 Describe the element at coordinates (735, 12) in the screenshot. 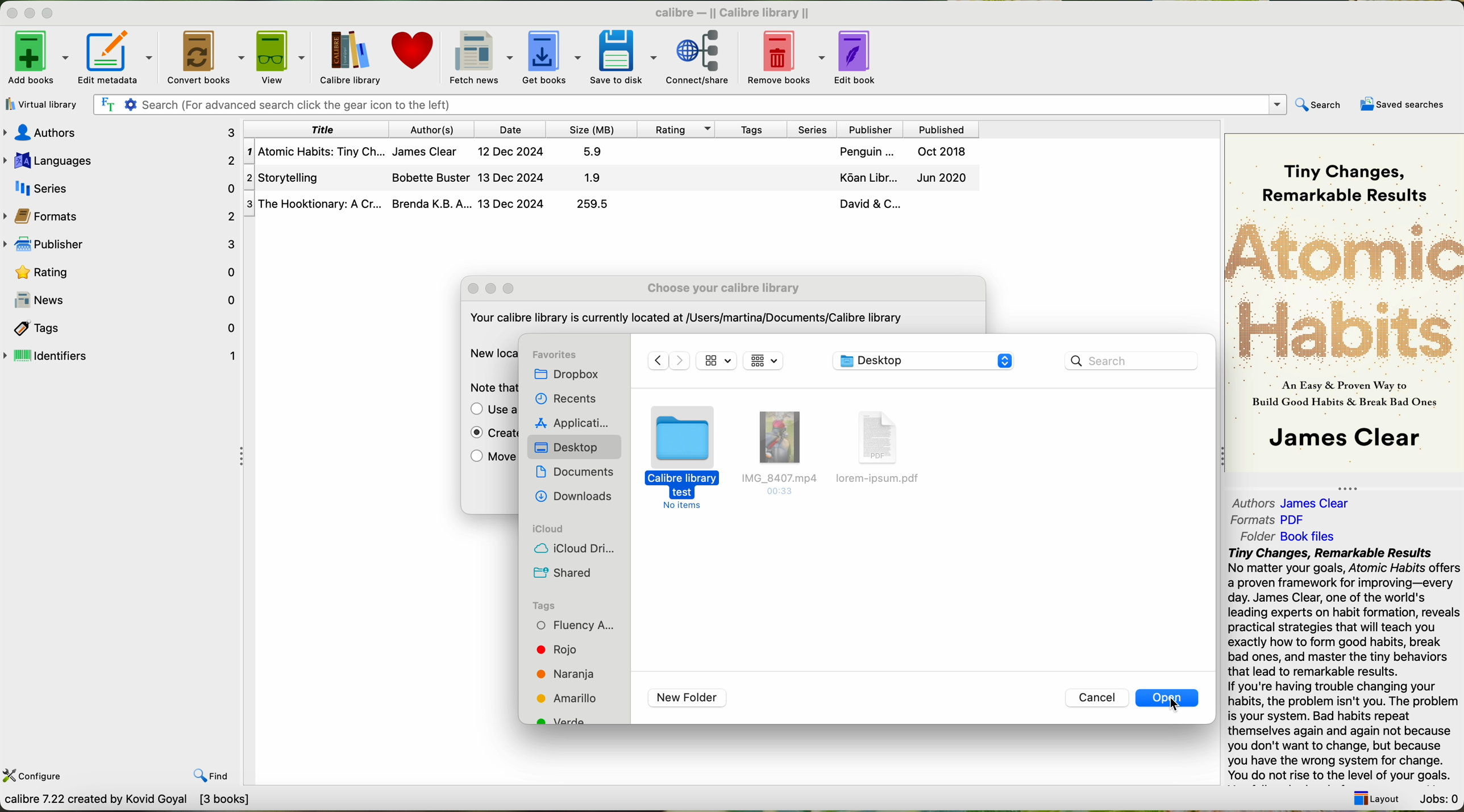

I see `calibre — || Calibre library ||` at that location.